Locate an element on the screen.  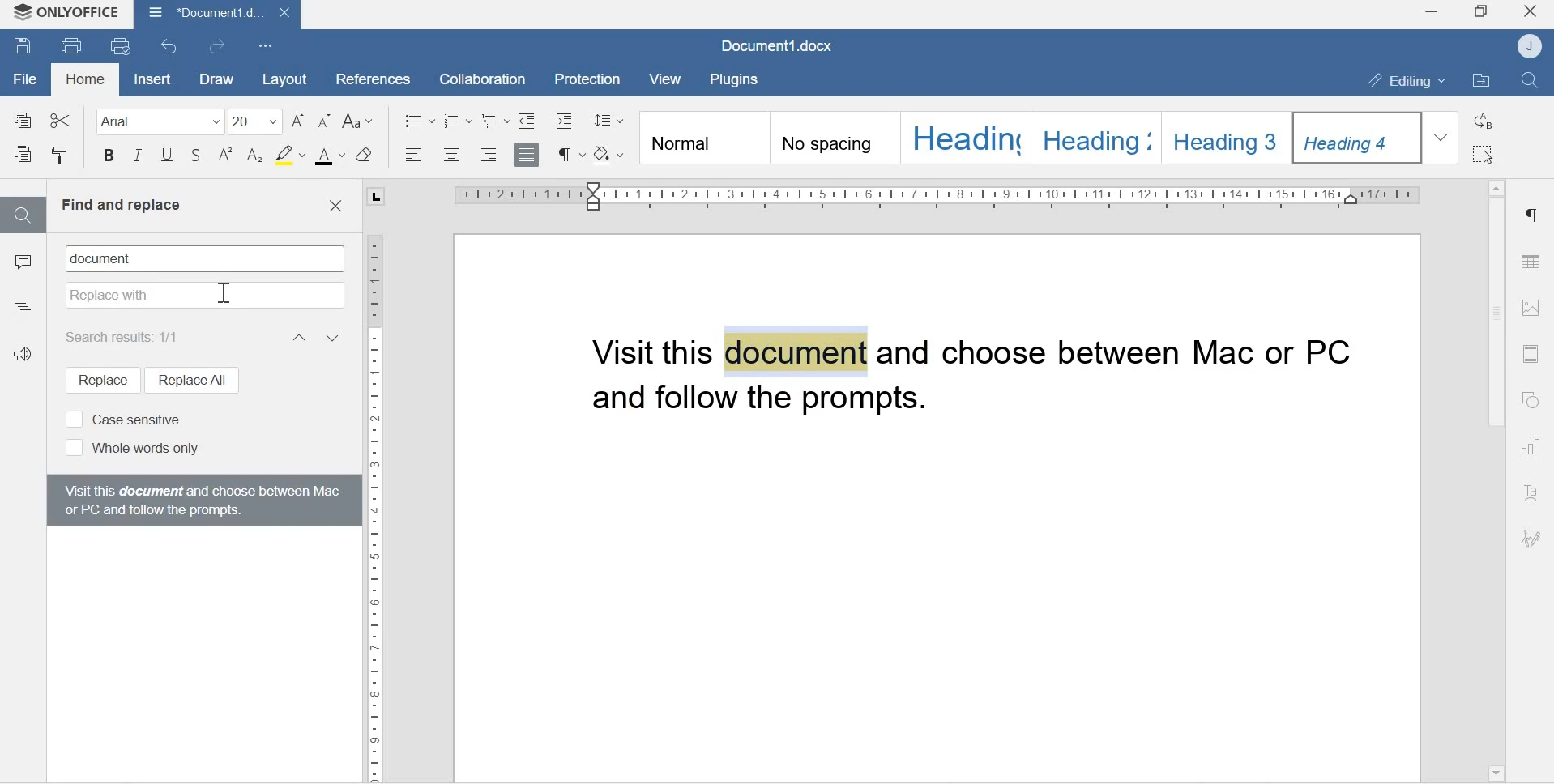
Shapes is located at coordinates (1534, 401).